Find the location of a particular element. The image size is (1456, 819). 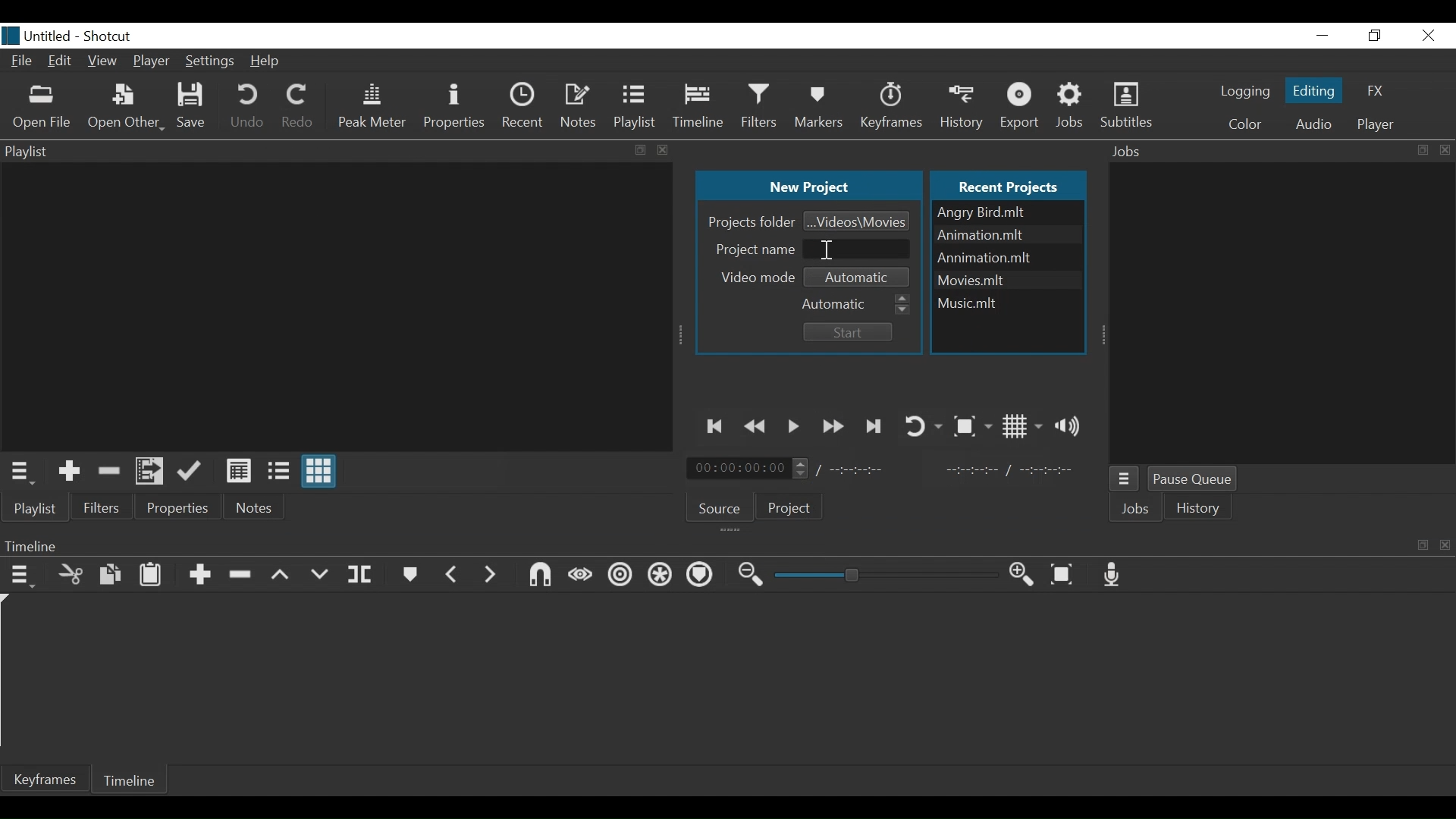

Overwrite is located at coordinates (319, 575).